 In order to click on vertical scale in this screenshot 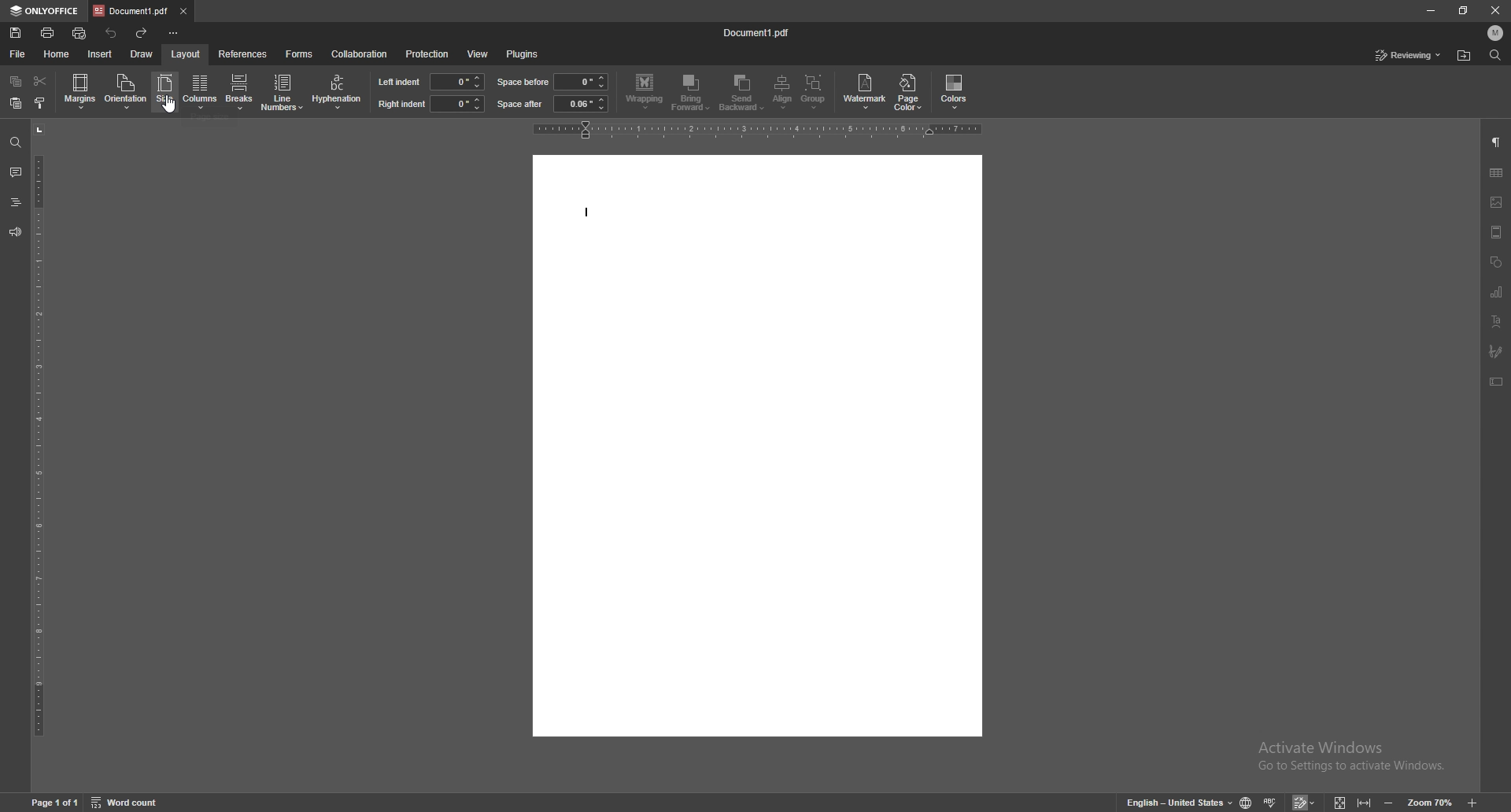, I will do `click(39, 454)`.